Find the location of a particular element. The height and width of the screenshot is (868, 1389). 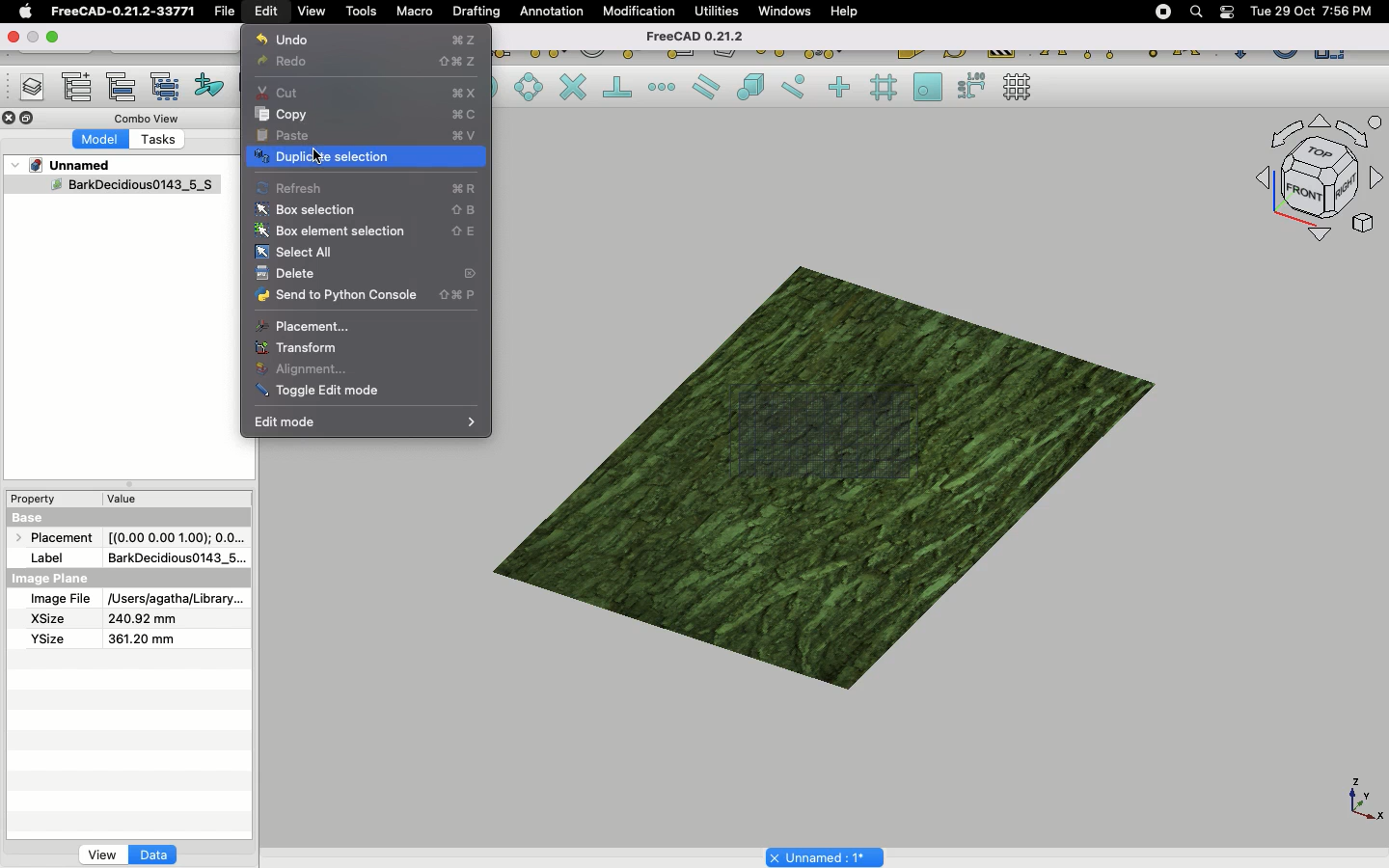

label is located at coordinates (52, 556).